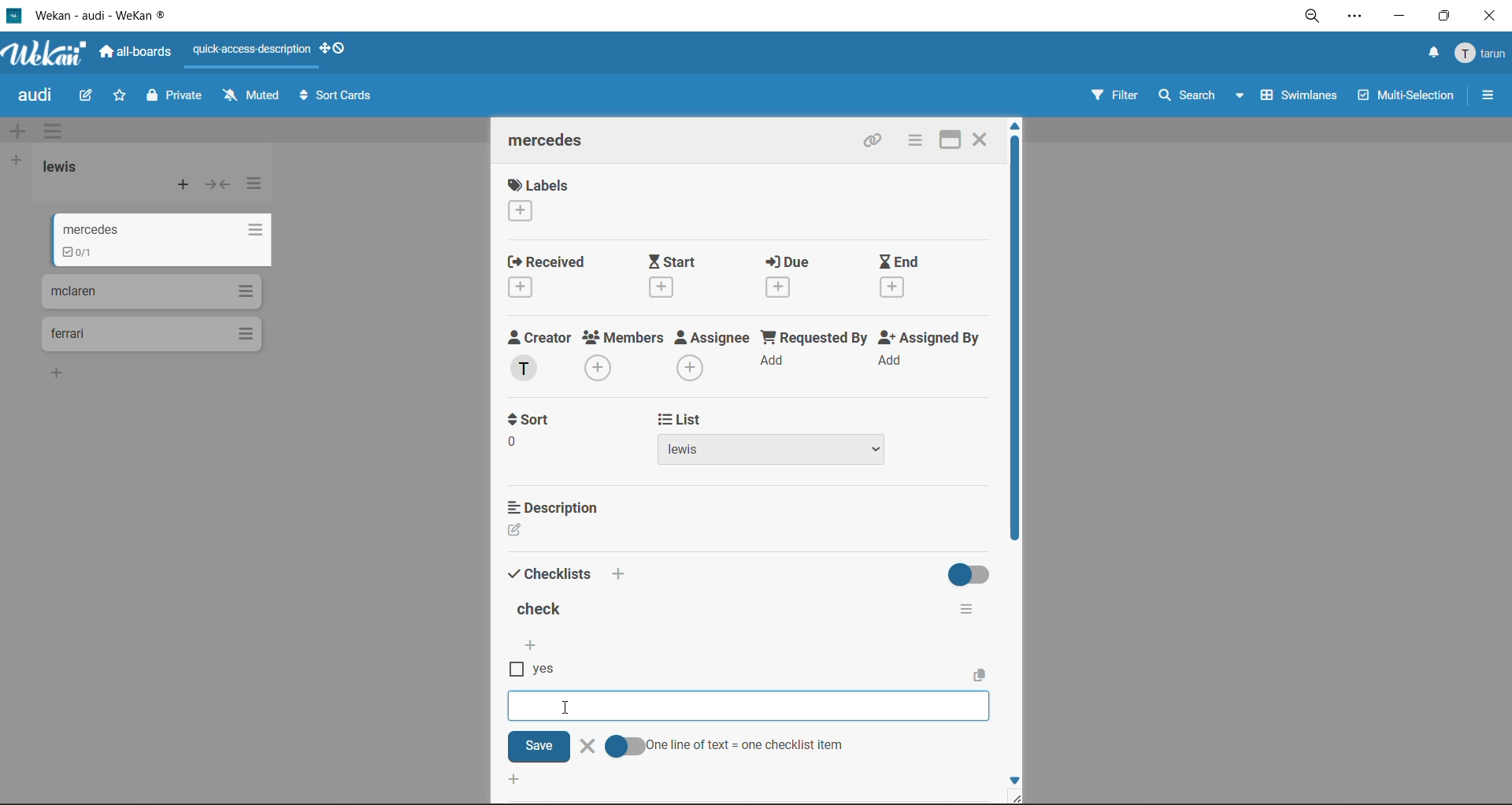 Image resolution: width=1512 pixels, height=805 pixels. What do you see at coordinates (553, 143) in the screenshot?
I see `card title` at bounding box center [553, 143].